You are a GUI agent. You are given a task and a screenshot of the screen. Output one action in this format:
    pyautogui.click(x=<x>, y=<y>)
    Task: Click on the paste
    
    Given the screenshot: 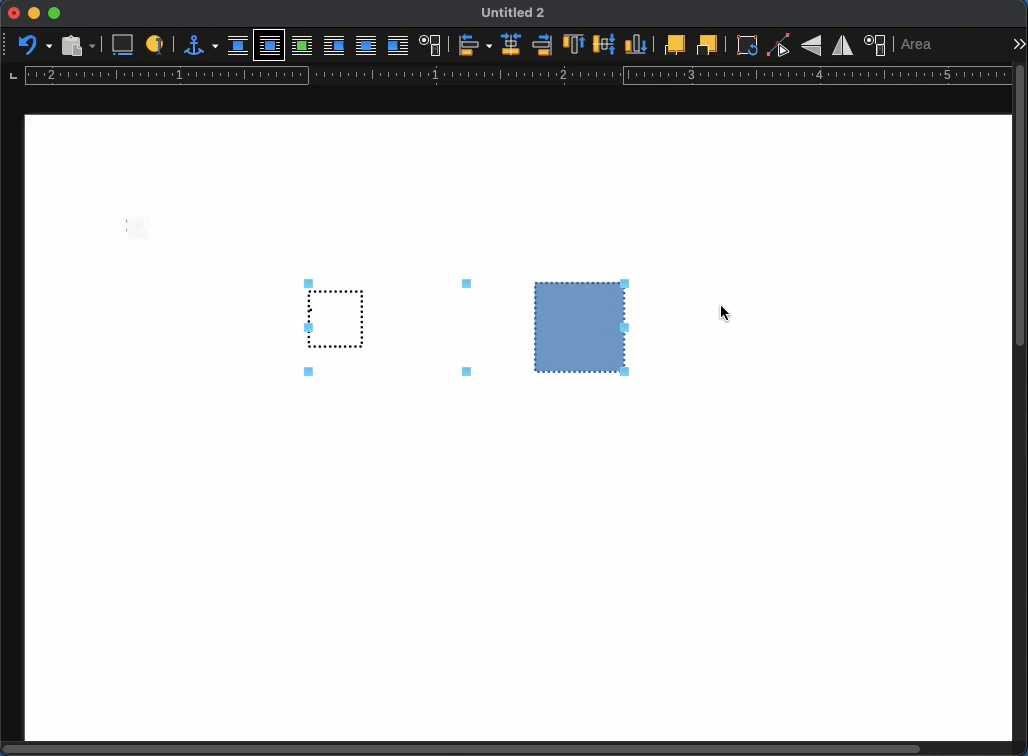 What is the action you would take?
    pyautogui.click(x=79, y=45)
    